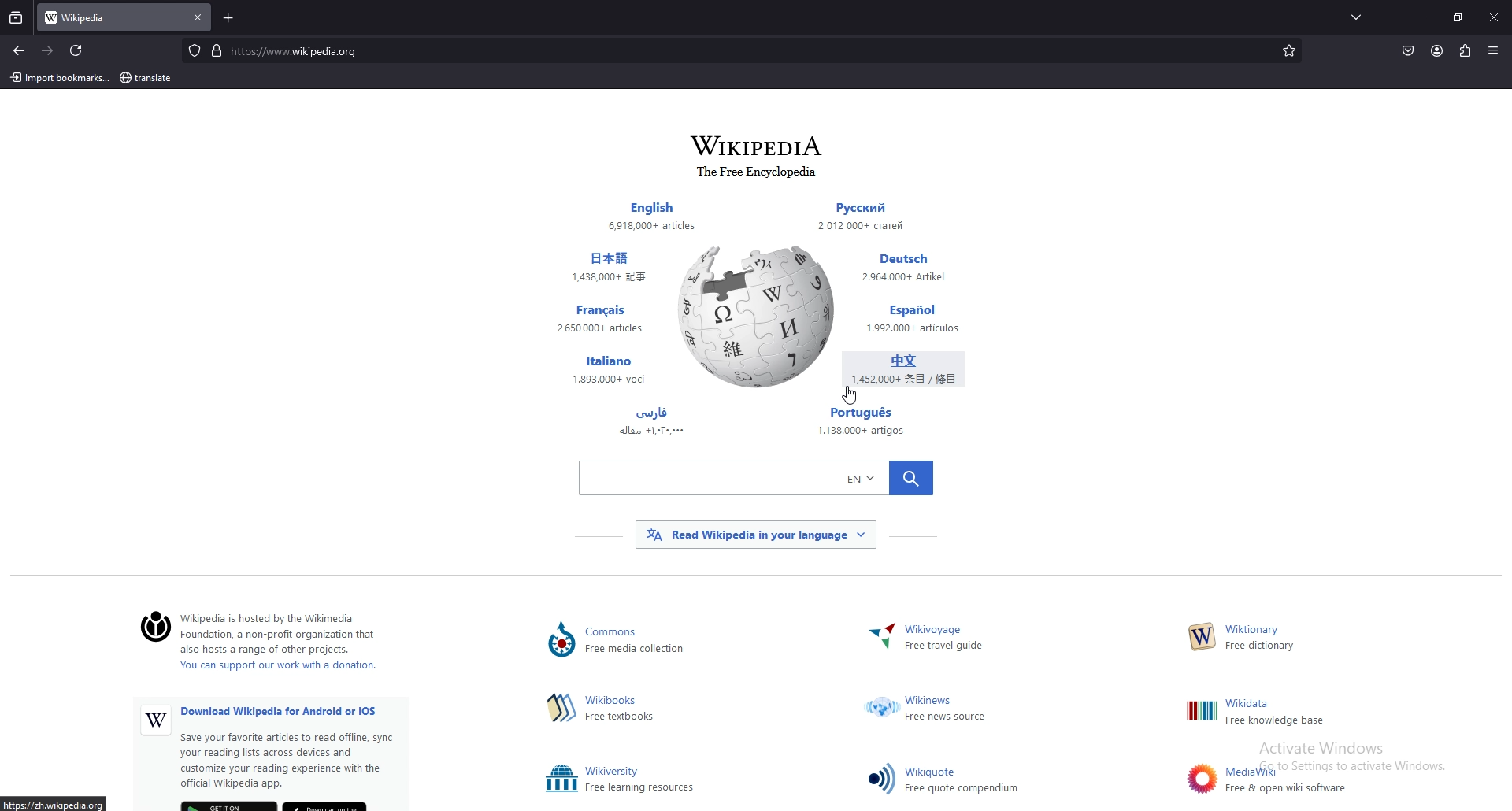 This screenshot has height=811, width=1512. Describe the element at coordinates (560, 707) in the screenshot. I see `` at that location.